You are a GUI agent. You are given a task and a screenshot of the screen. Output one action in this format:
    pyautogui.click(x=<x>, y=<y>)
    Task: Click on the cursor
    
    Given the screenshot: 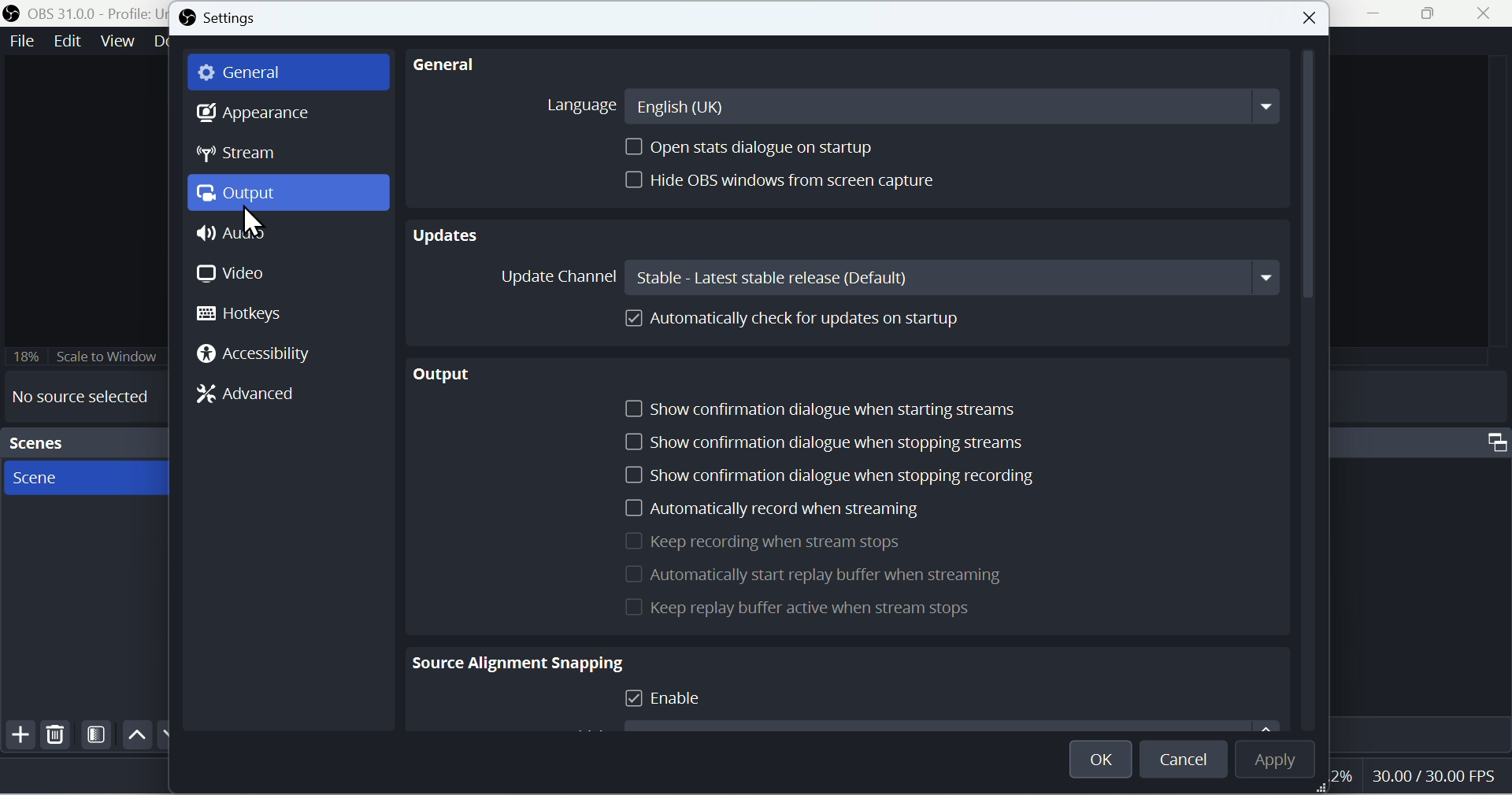 What is the action you would take?
    pyautogui.click(x=258, y=224)
    